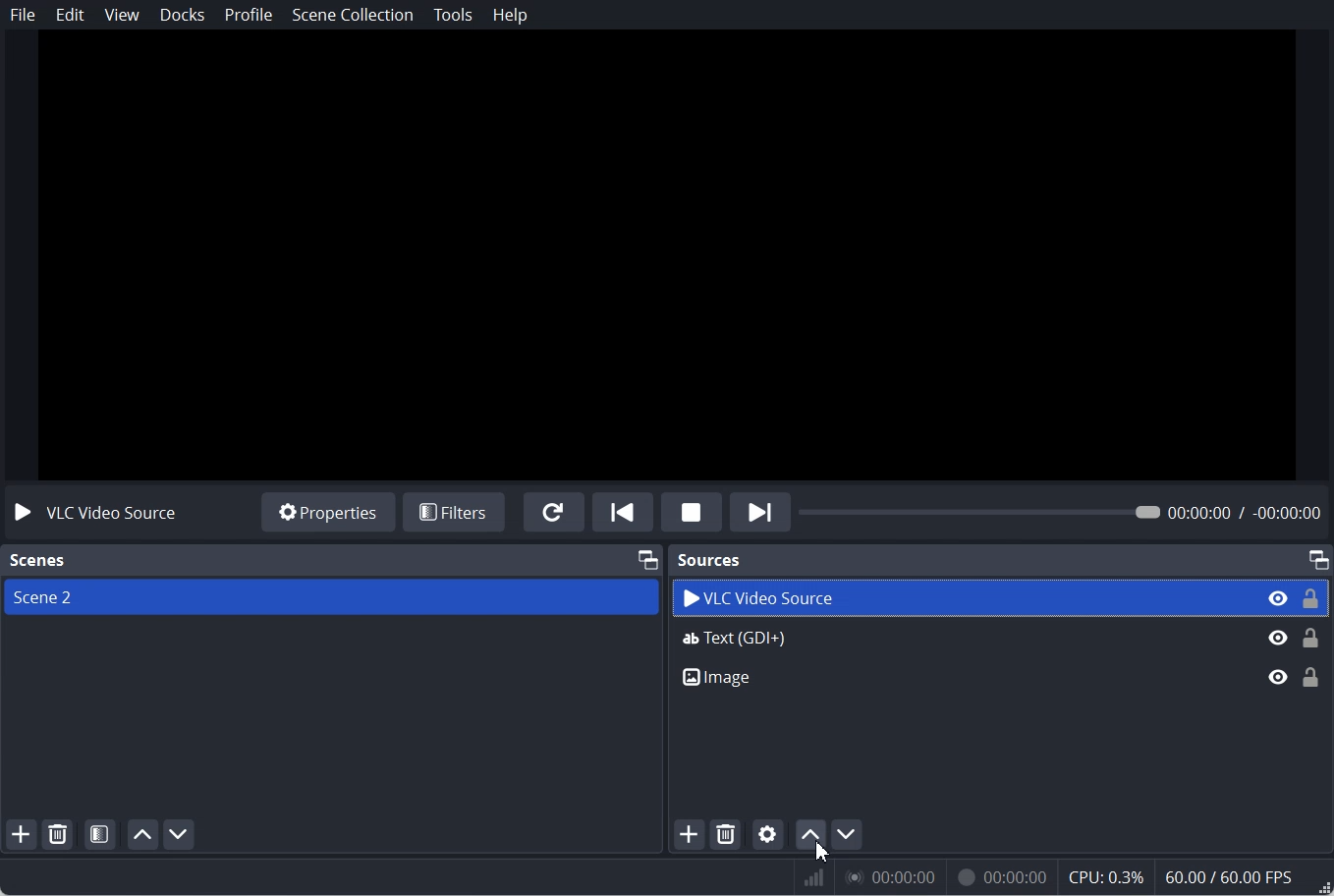 The image size is (1334, 896). I want to click on Edit, so click(71, 15).